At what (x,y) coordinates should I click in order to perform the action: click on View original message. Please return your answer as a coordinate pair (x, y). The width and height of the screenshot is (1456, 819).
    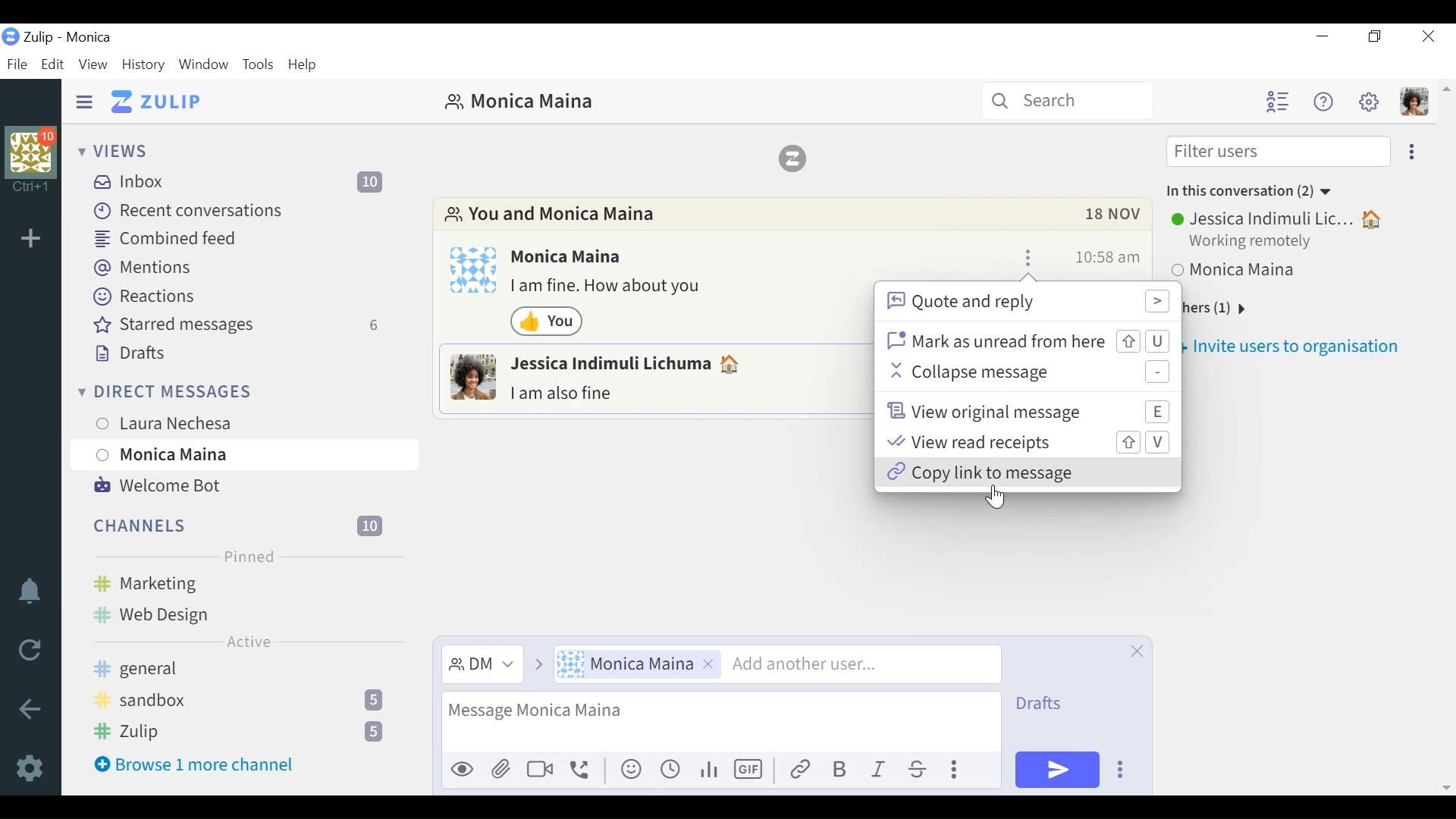
    Looking at the image, I should click on (1025, 410).